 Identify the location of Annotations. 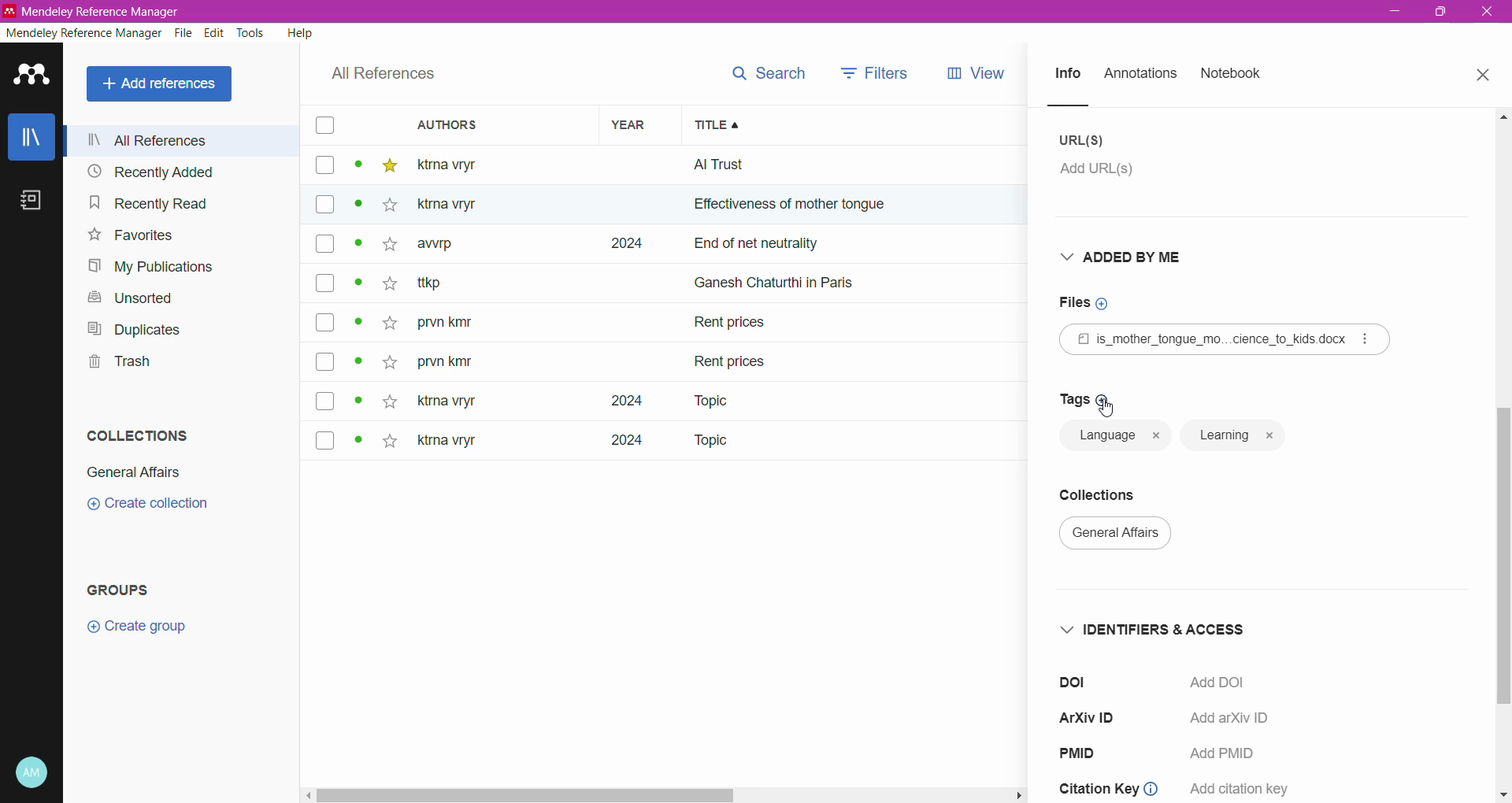
(1140, 75).